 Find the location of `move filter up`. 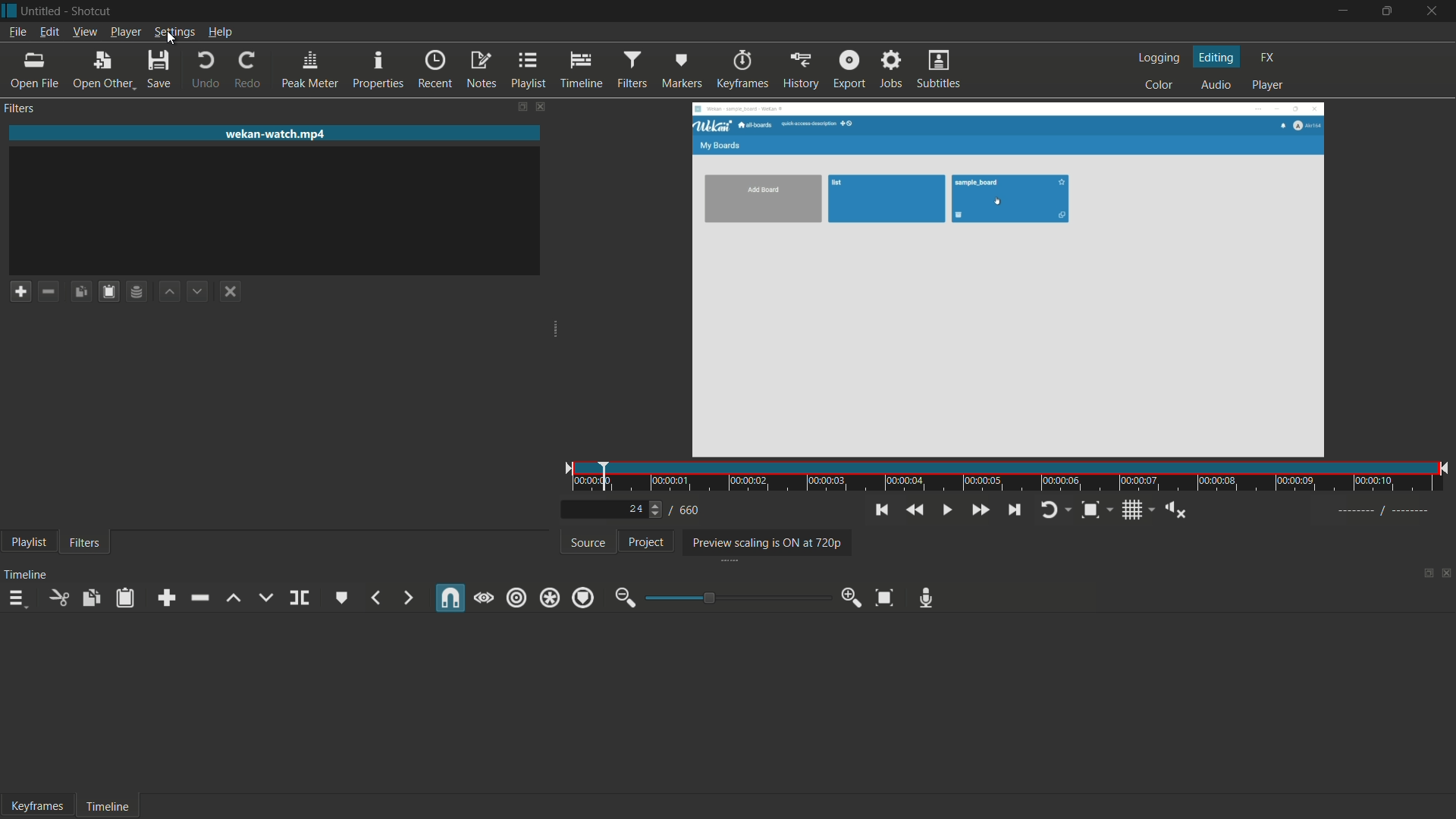

move filter up is located at coordinates (170, 293).